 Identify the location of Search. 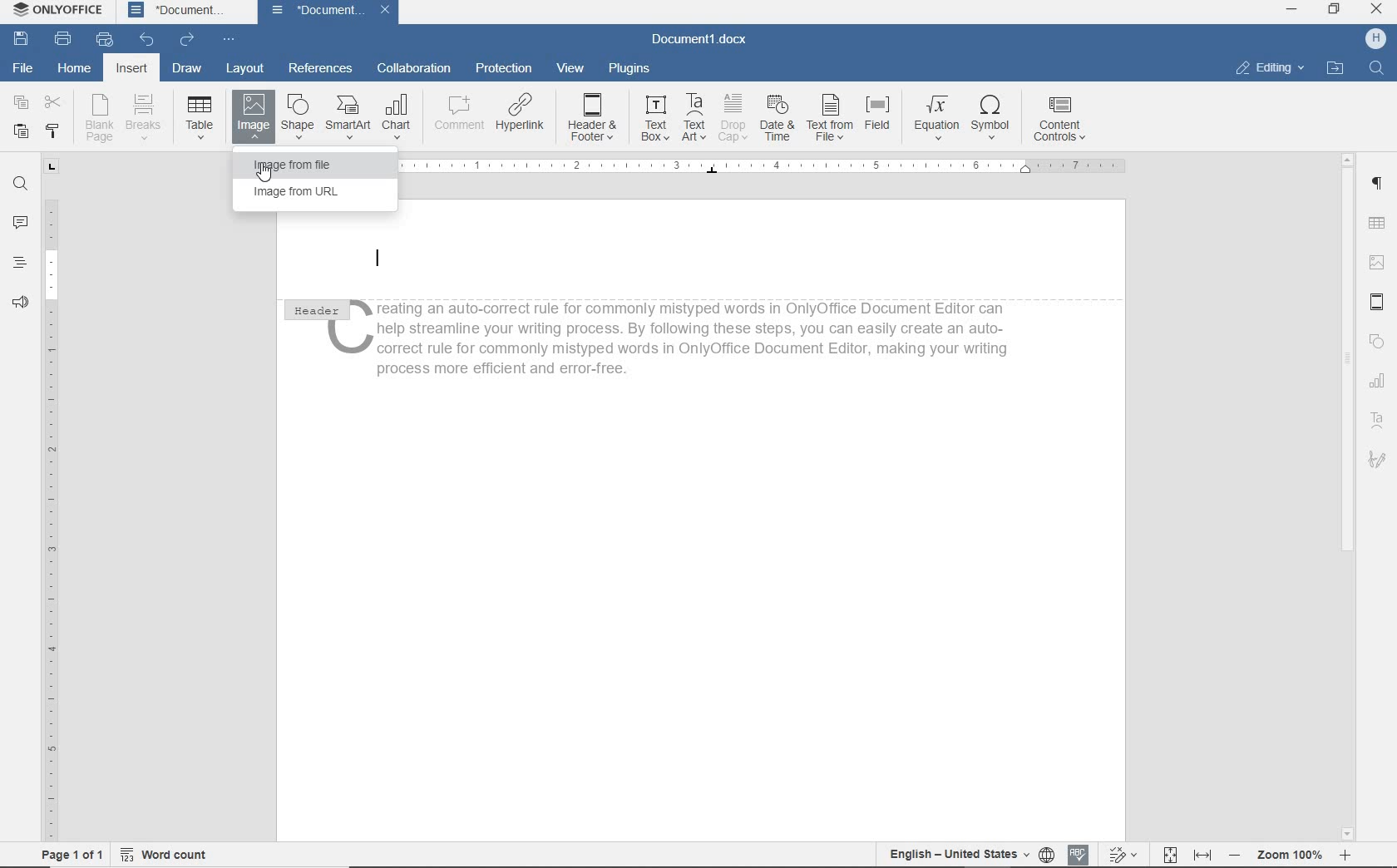
(1375, 68).